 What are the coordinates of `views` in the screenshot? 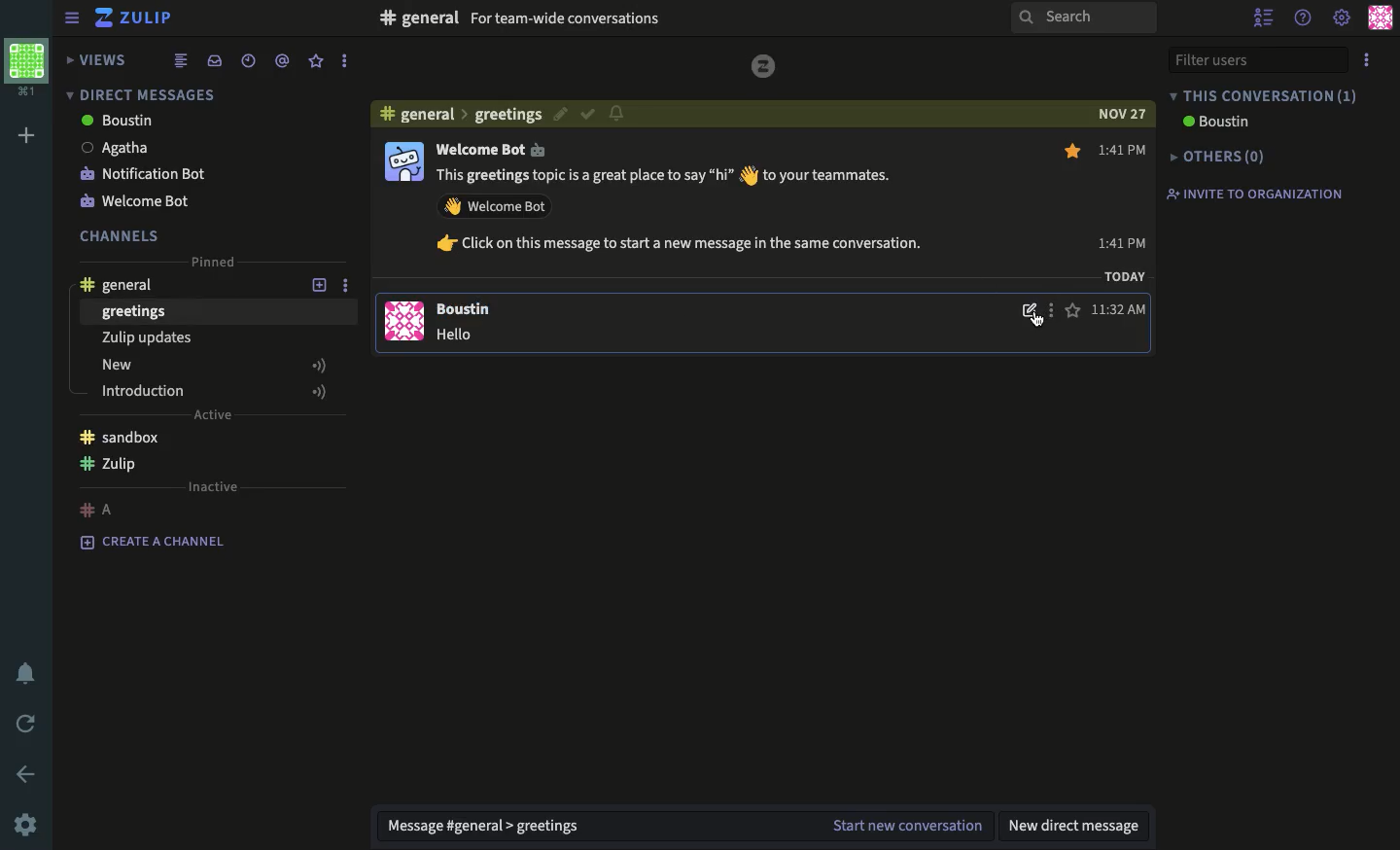 It's located at (98, 59).